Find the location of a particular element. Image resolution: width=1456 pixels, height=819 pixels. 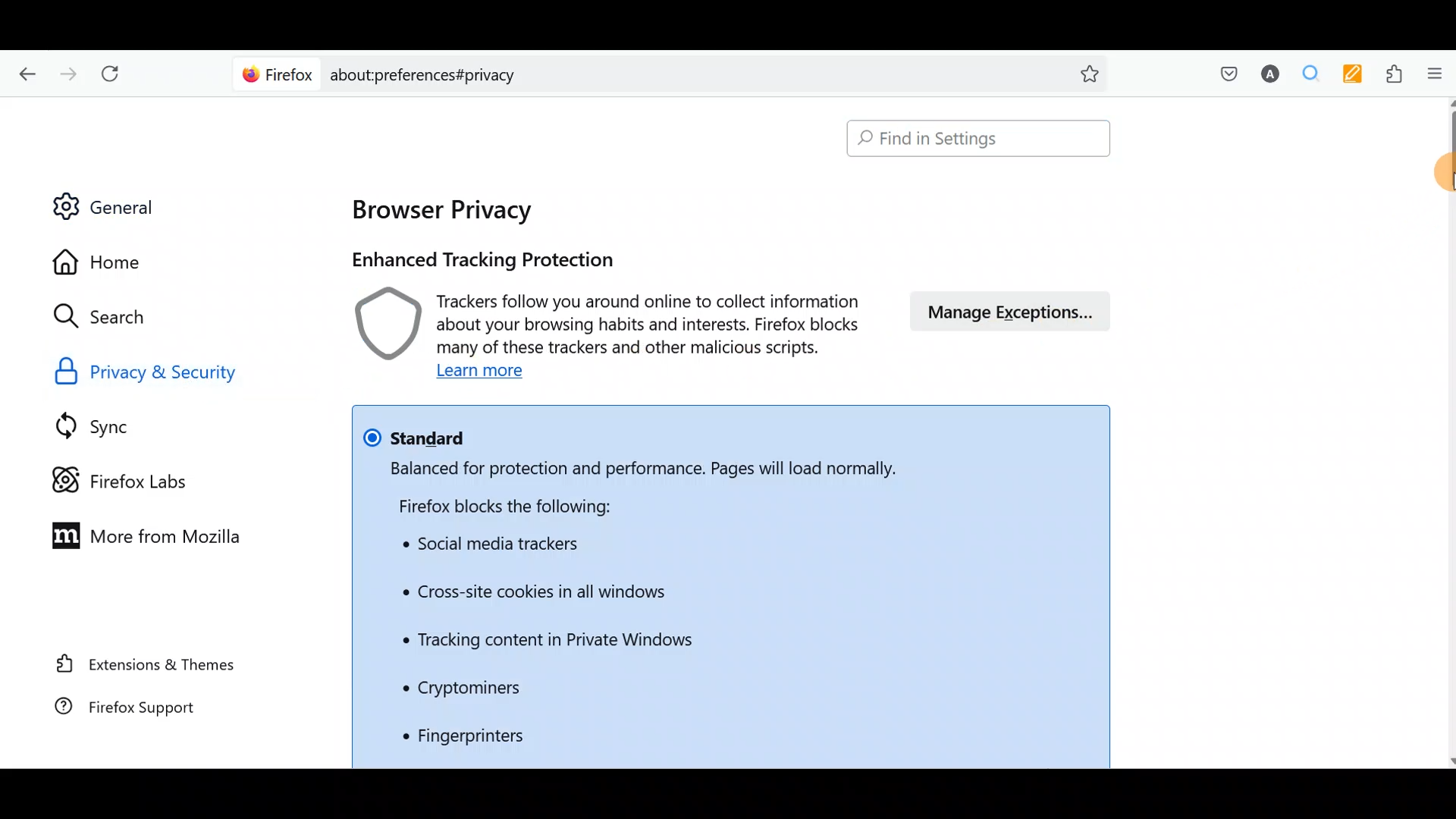

Open application menu is located at coordinates (1433, 75).